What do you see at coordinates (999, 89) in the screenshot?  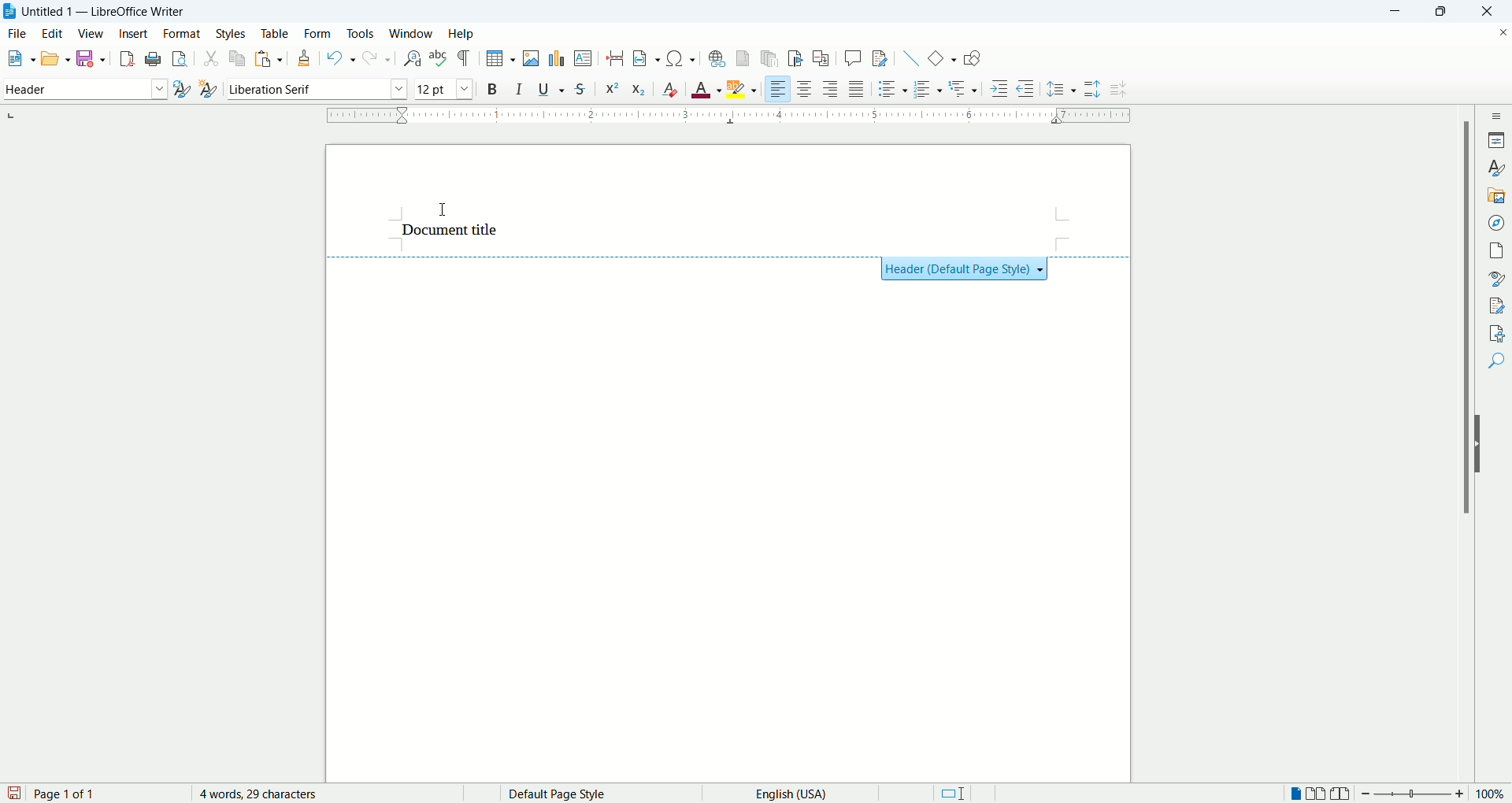 I see `increase indent` at bounding box center [999, 89].